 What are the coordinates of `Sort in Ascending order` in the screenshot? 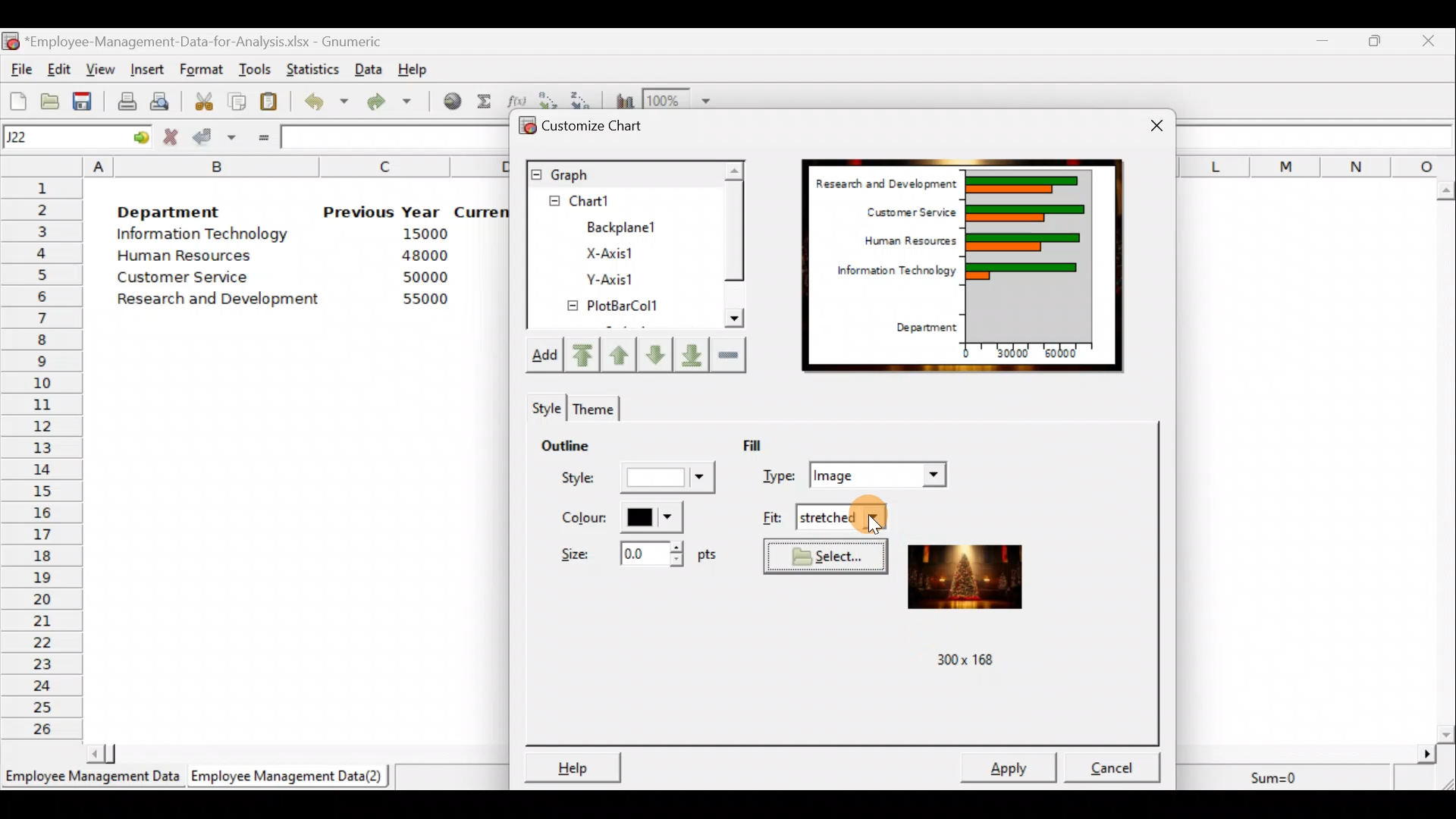 It's located at (549, 98).